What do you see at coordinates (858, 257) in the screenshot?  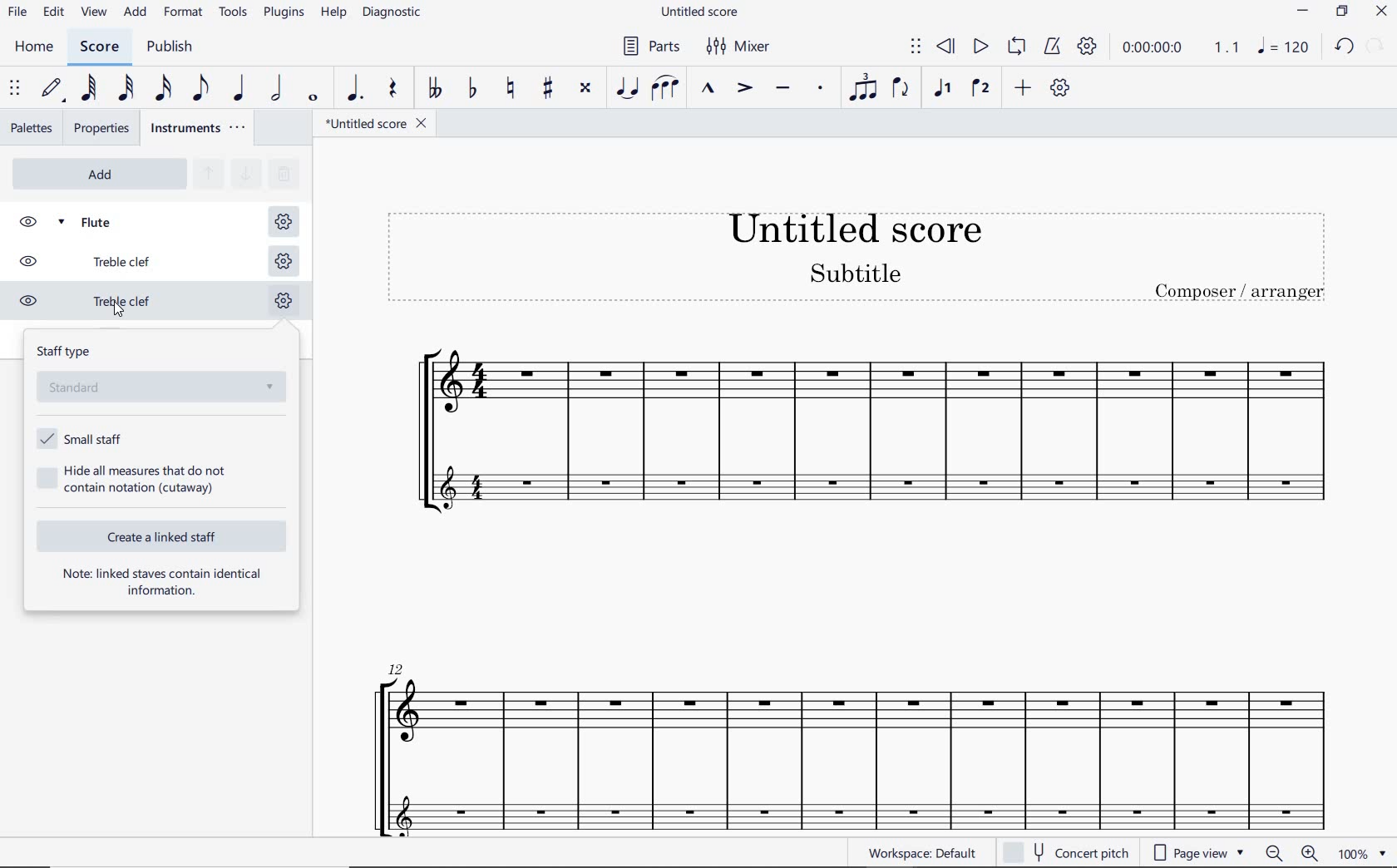 I see `Title` at bounding box center [858, 257].